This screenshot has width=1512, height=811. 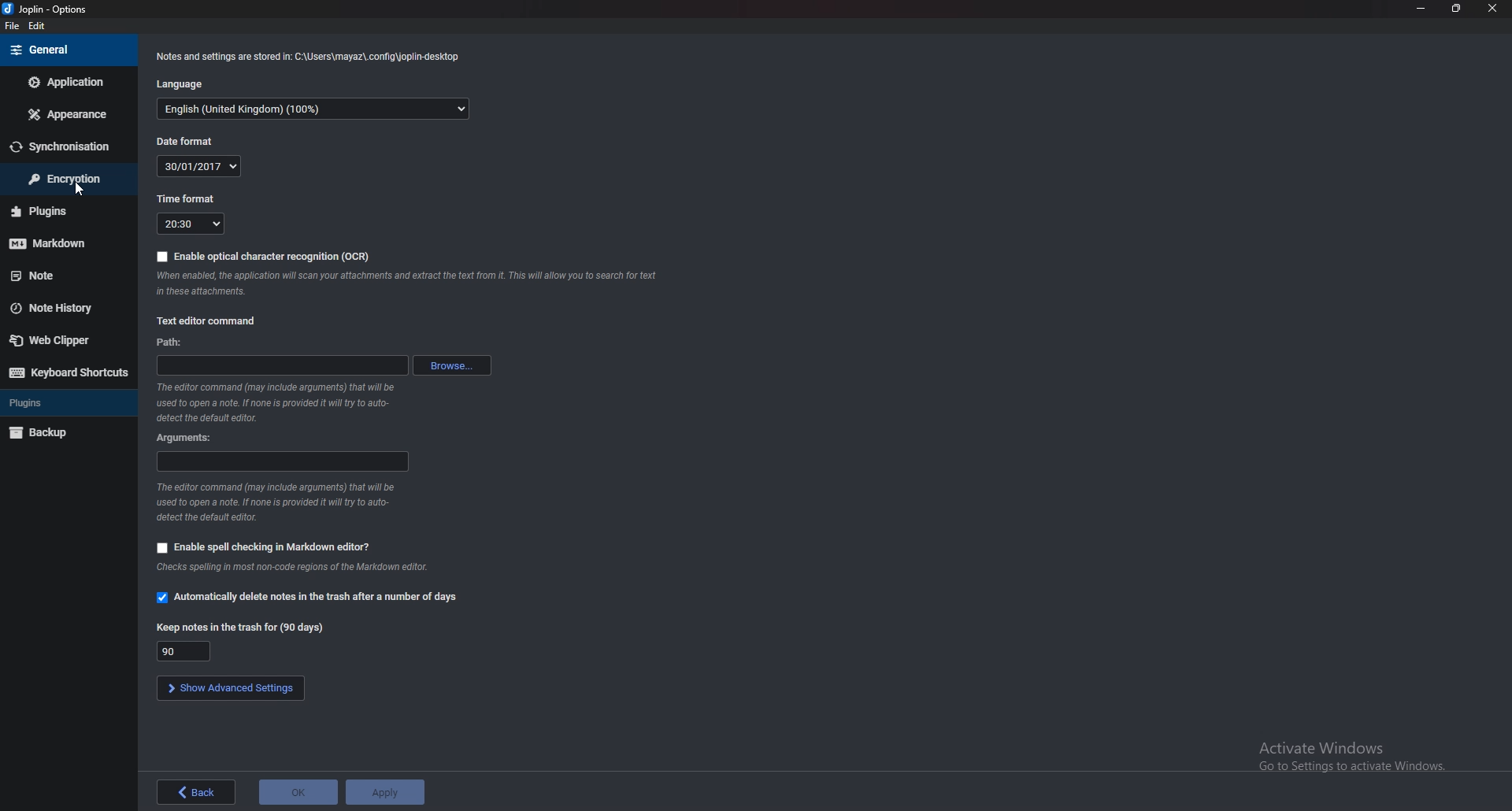 What do you see at coordinates (1491, 9) in the screenshot?
I see `close` at bounding box center [1491, 9].